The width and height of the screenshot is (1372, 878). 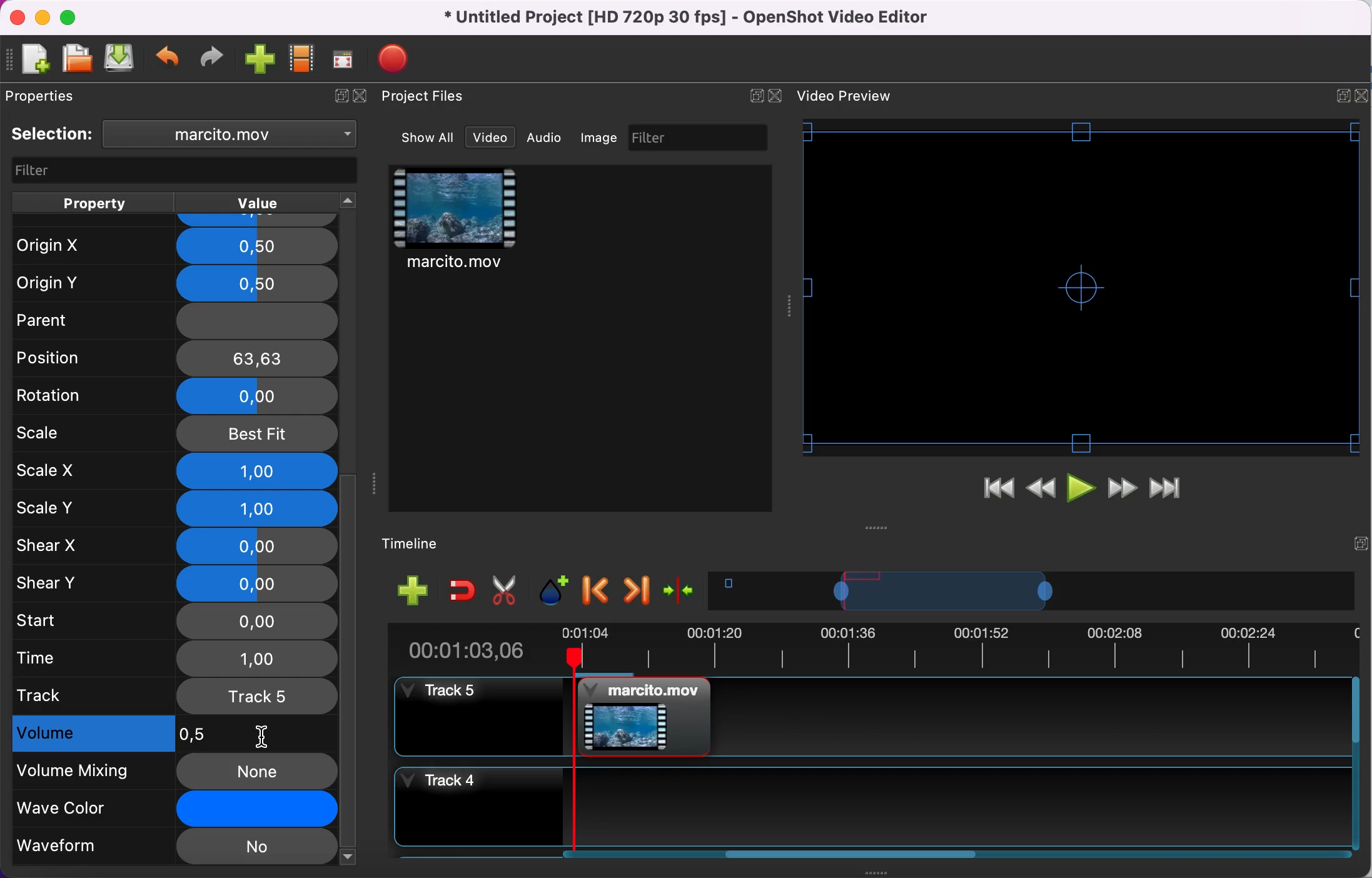 I want to click on video, so click(x=490, y=138).